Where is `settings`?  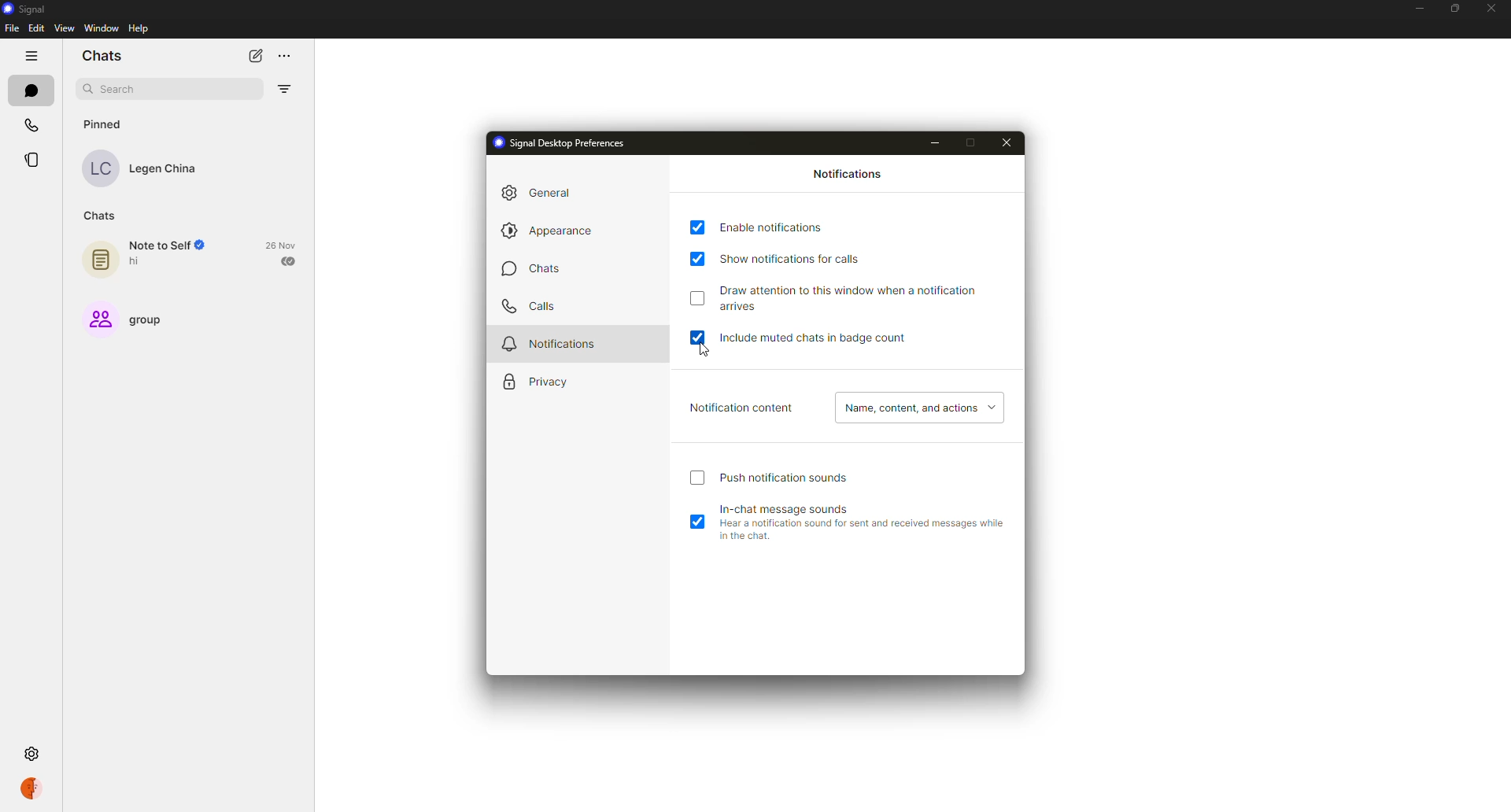
settings is located at coordinates (29, 752).